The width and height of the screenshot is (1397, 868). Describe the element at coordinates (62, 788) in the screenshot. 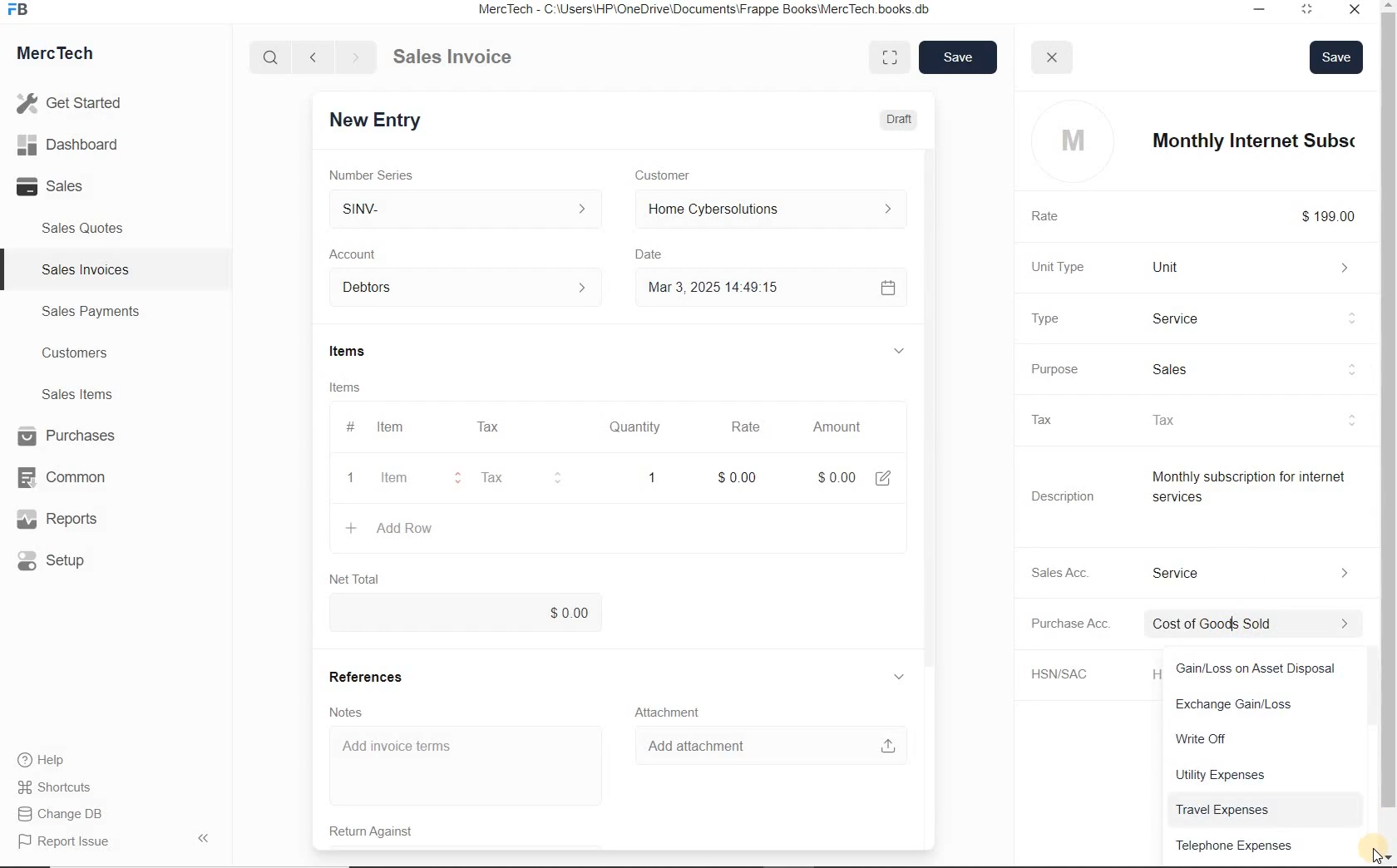

I see `Shortcuts` at that location.